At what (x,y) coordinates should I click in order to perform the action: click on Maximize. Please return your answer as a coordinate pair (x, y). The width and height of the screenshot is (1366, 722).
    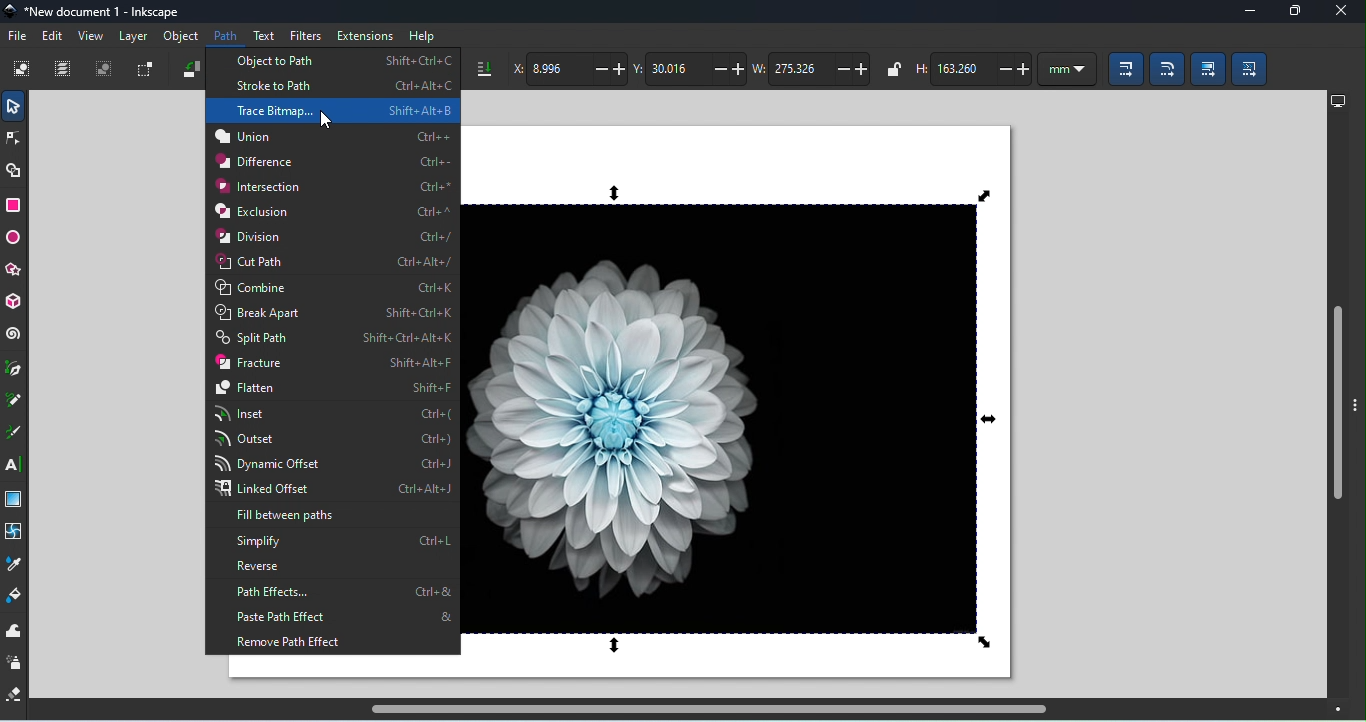
    Looking at the image, I should click on (1291, 13).